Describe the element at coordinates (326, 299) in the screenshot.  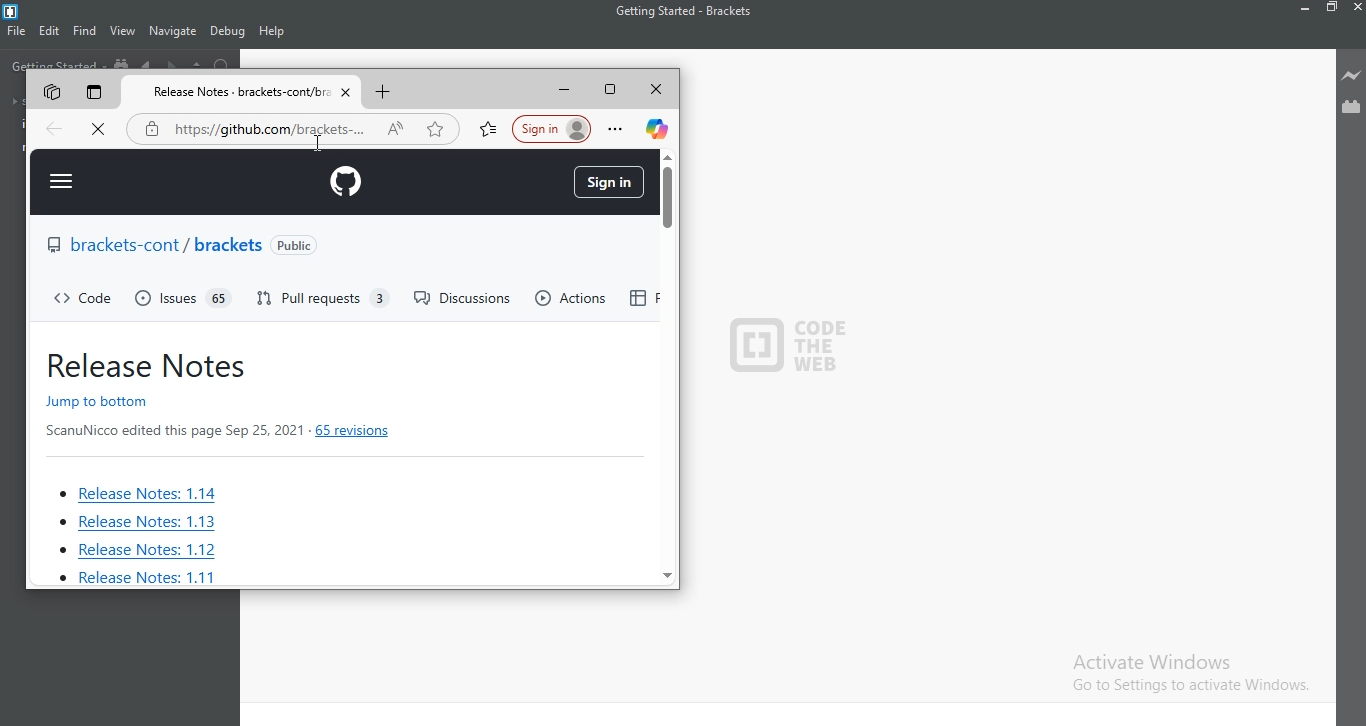
I see `pull requests` at that location.